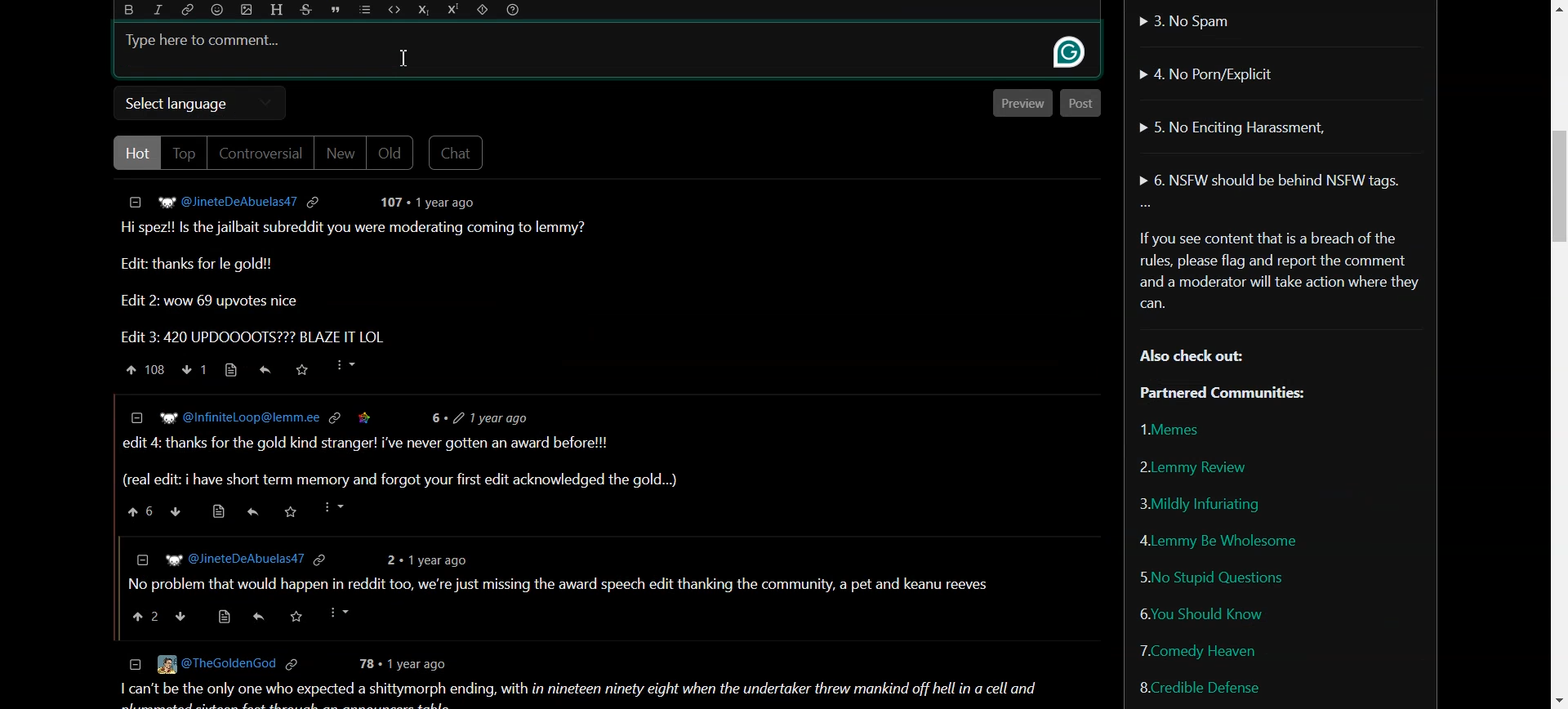  What do you see at coordinates (139, 513) in the screenshot?
I see `upvote` at bounding box center [139, 513].